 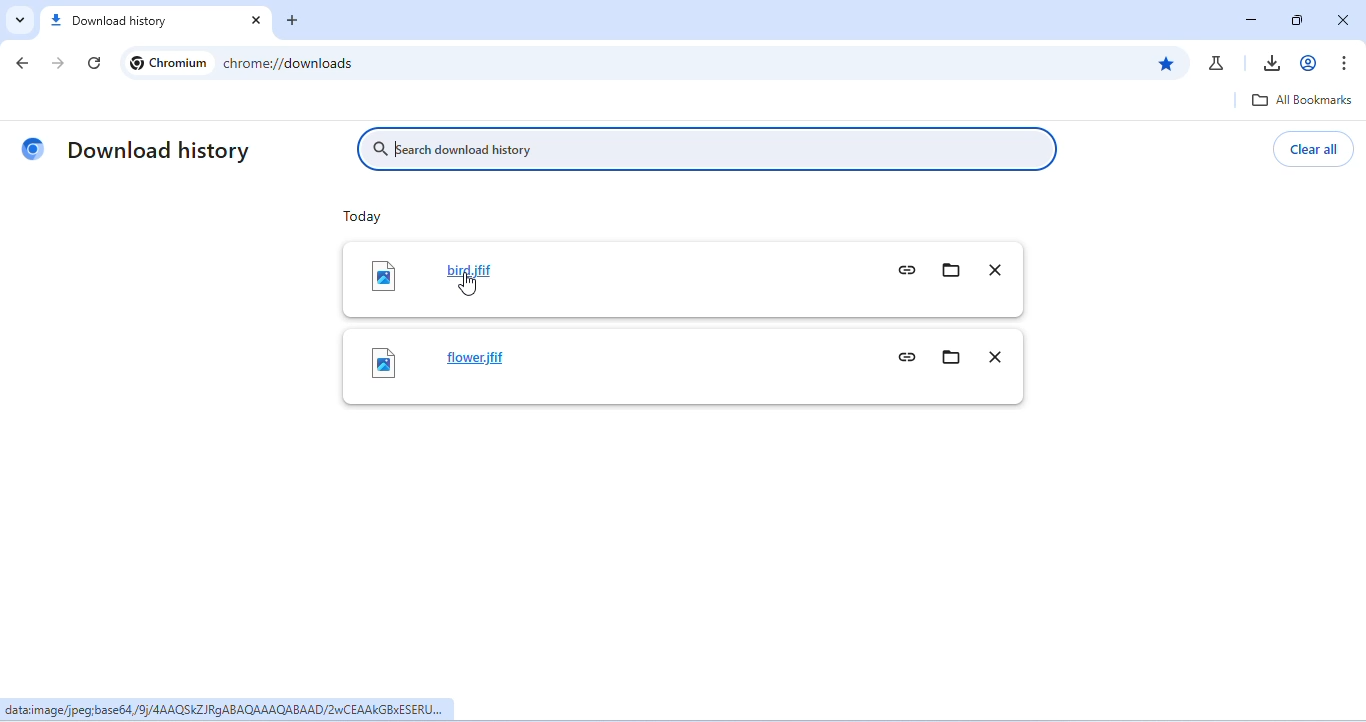 I want to click on image icon, so click(x=383, y=273).